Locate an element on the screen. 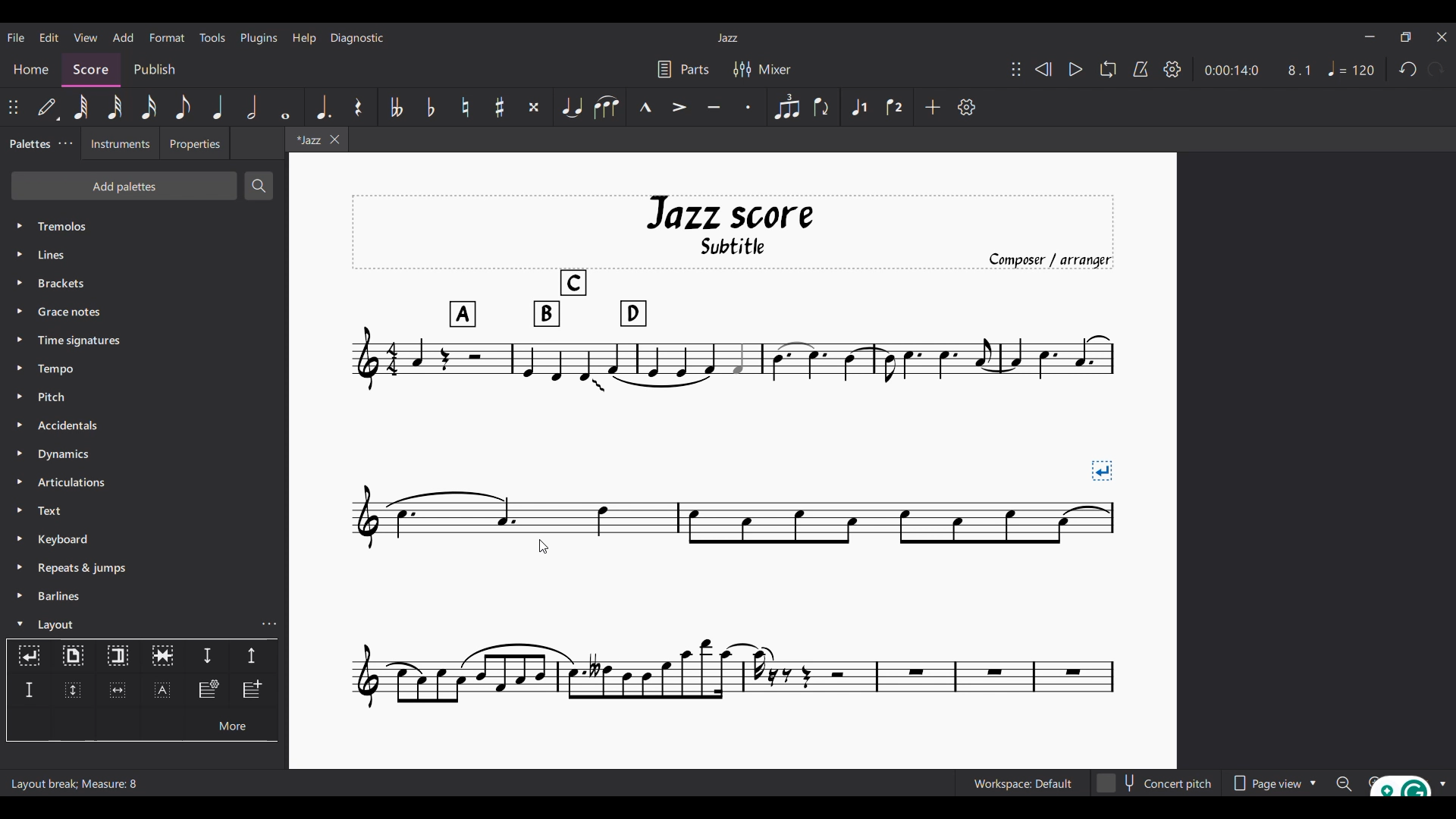  Voice 1 is located at coordinates (858, 107).